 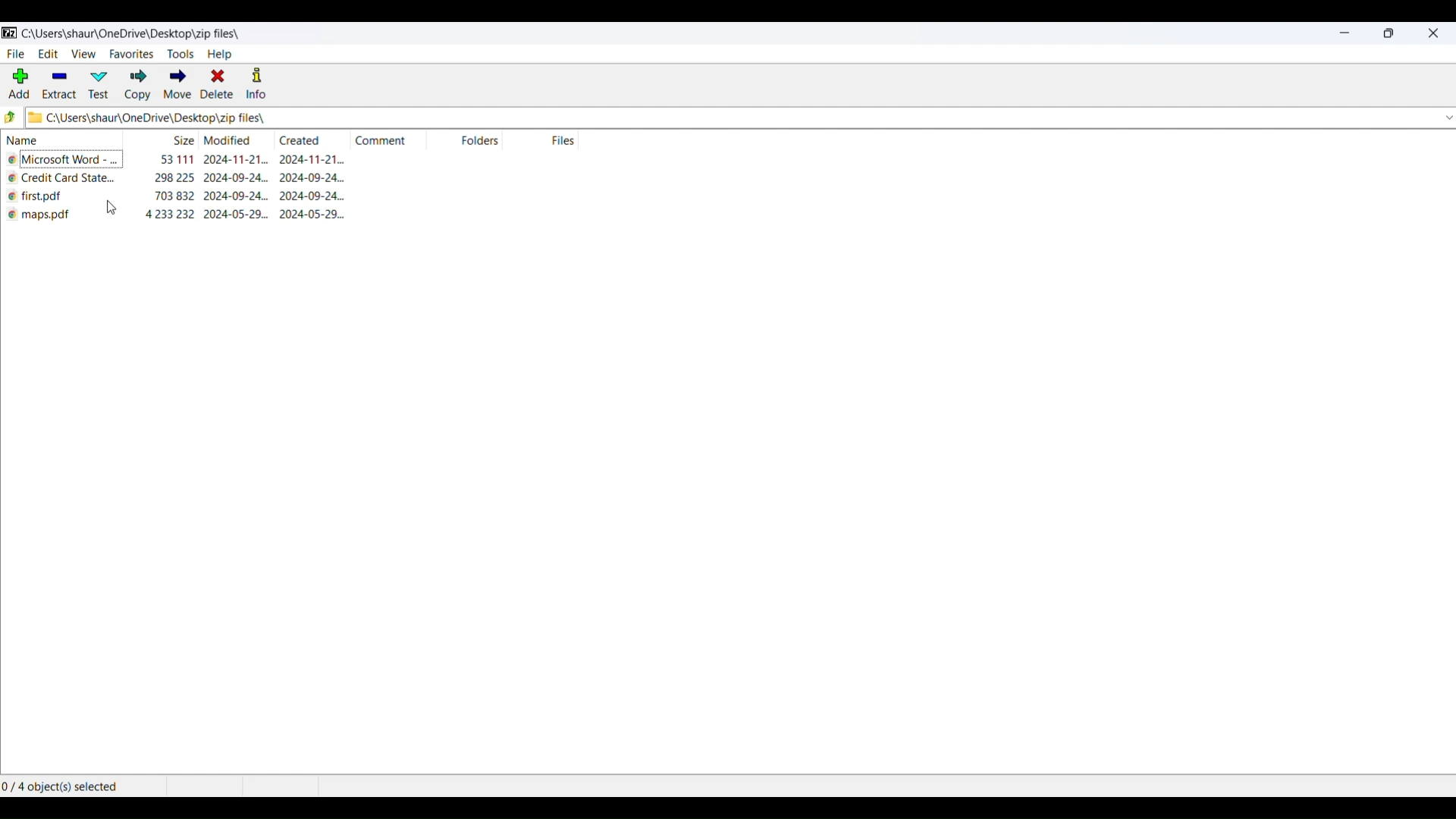 What do you see at coordinates (311, 180) in the screenshot?
I see `file creation date` at bounding box center [311, 180].